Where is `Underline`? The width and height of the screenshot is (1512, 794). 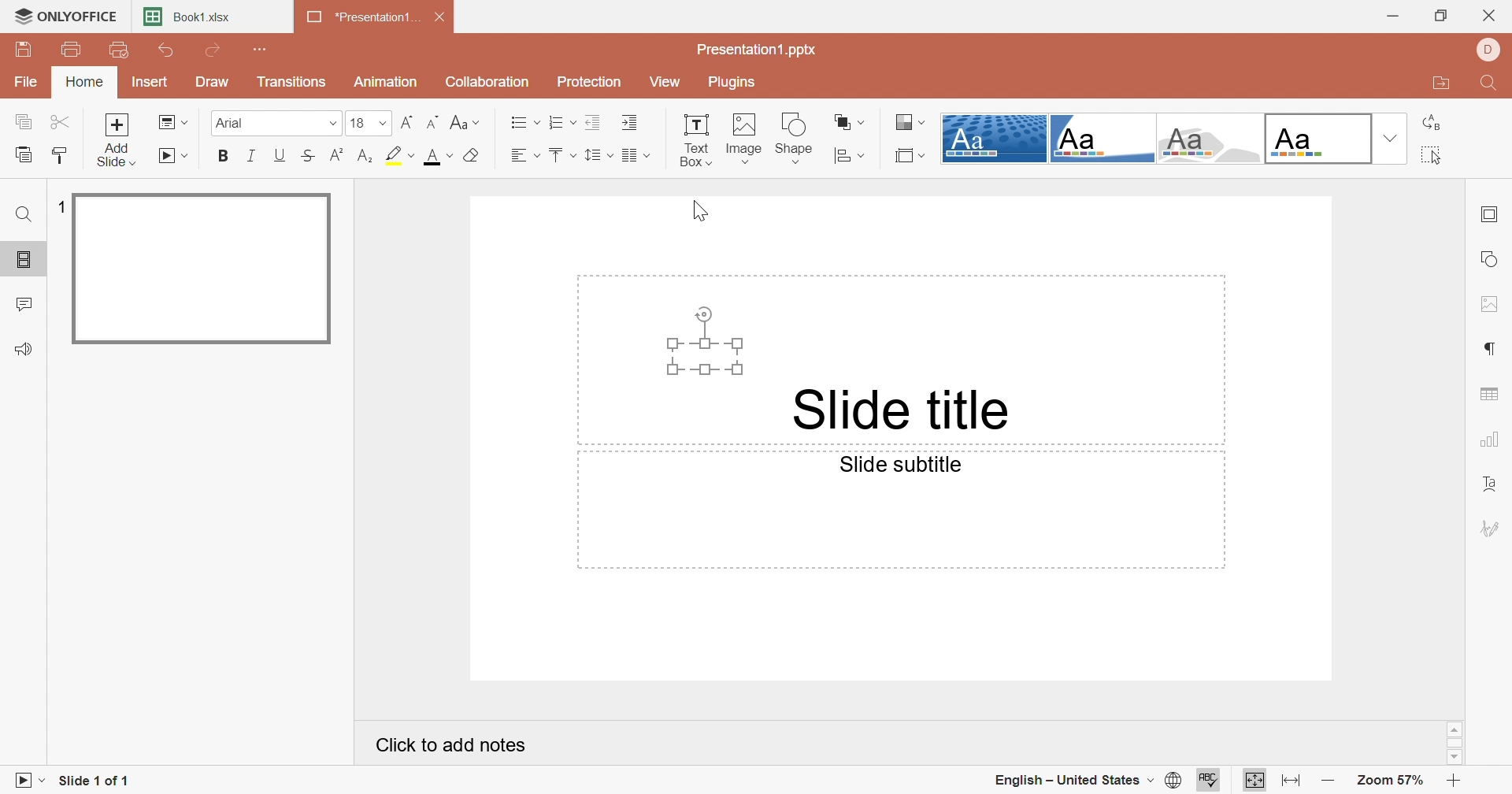 Underline is located at coordinates (281, 155).